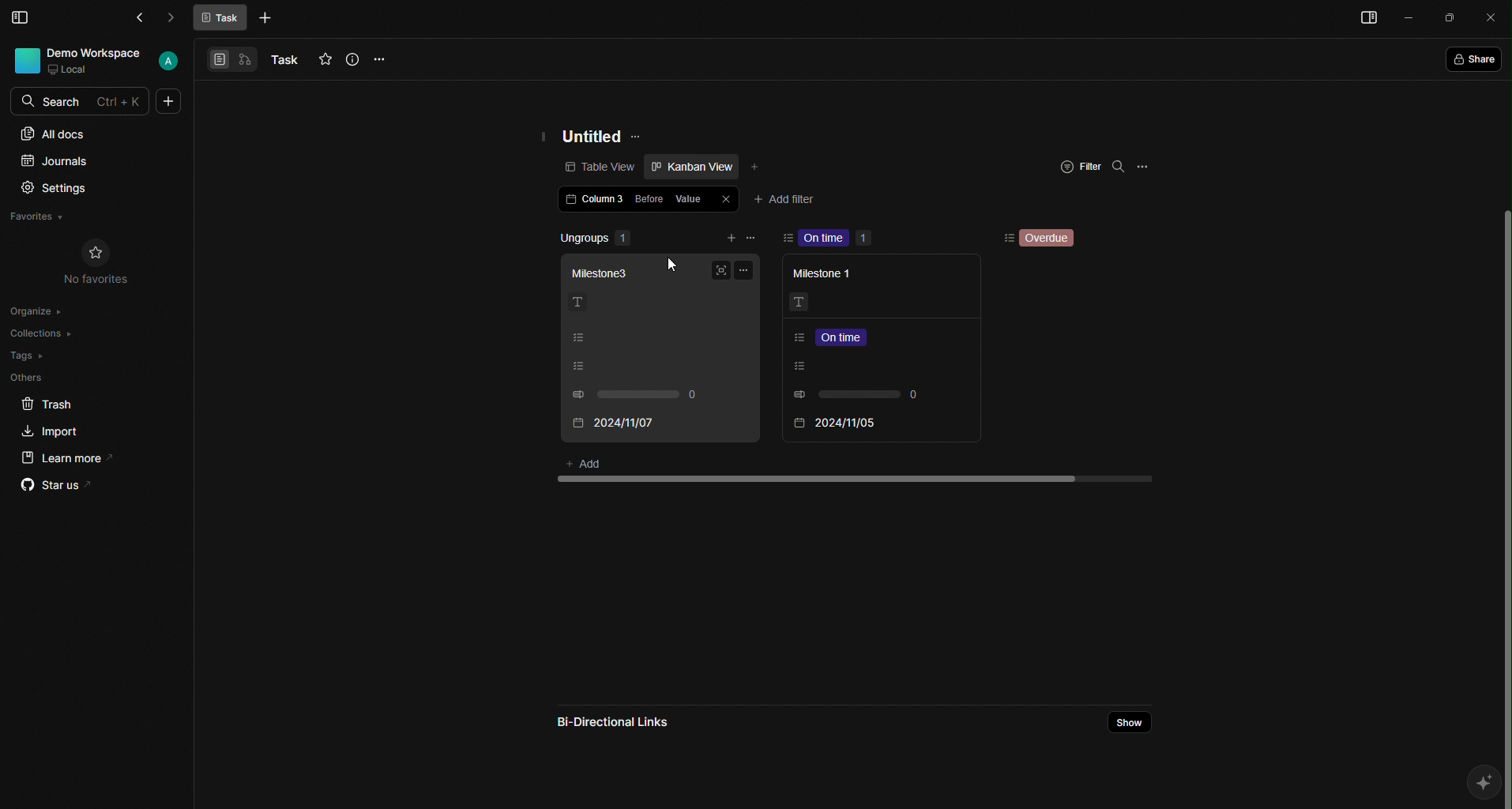 The width and height of the screenshot is (1512, 809). I want to click on 0, so click(633, 397).